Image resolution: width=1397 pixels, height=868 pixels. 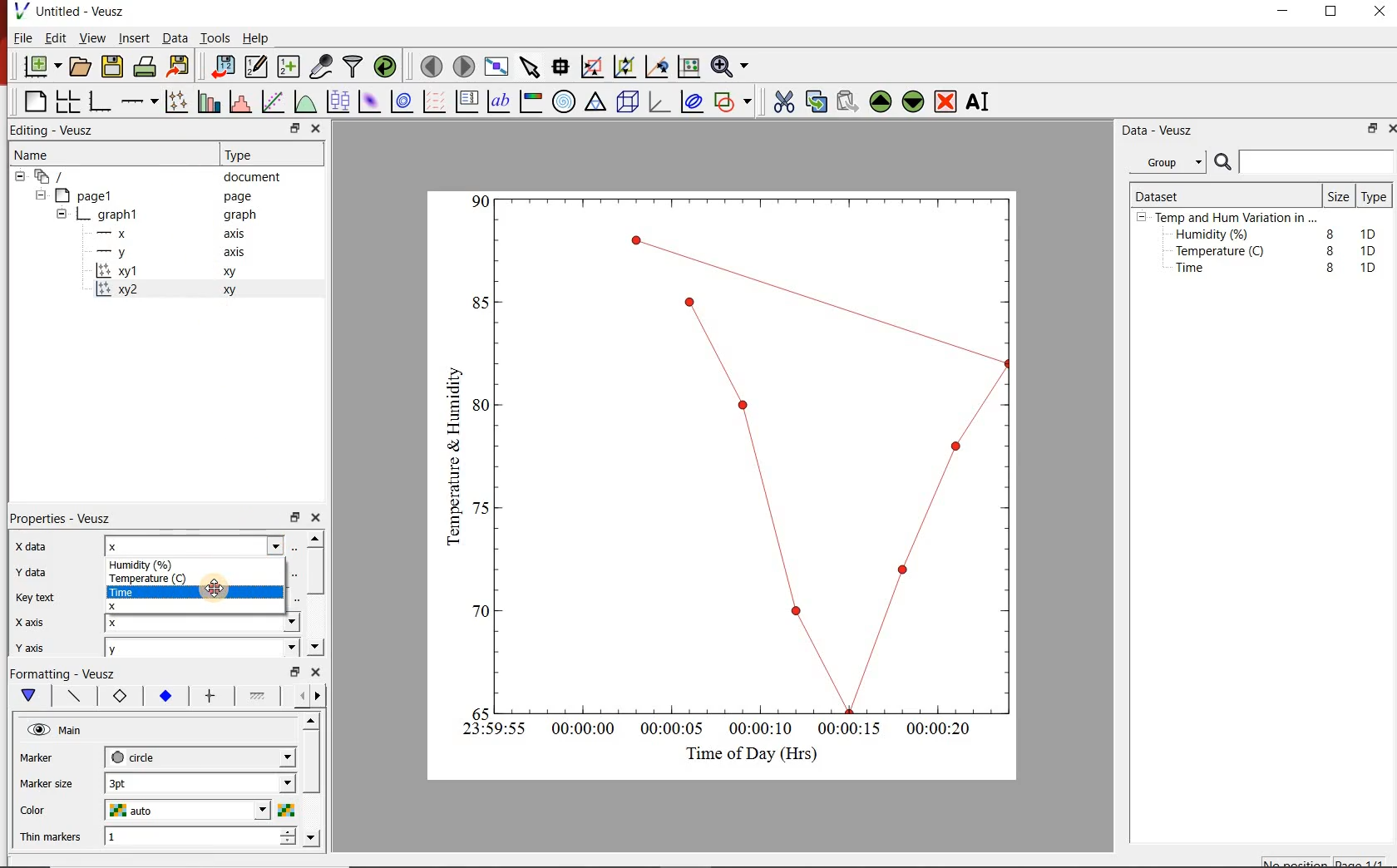 What do you see at coordinates (729, 66) in the screenshot?
I see `Zoom functions menu` at bounding box center [729, 66].